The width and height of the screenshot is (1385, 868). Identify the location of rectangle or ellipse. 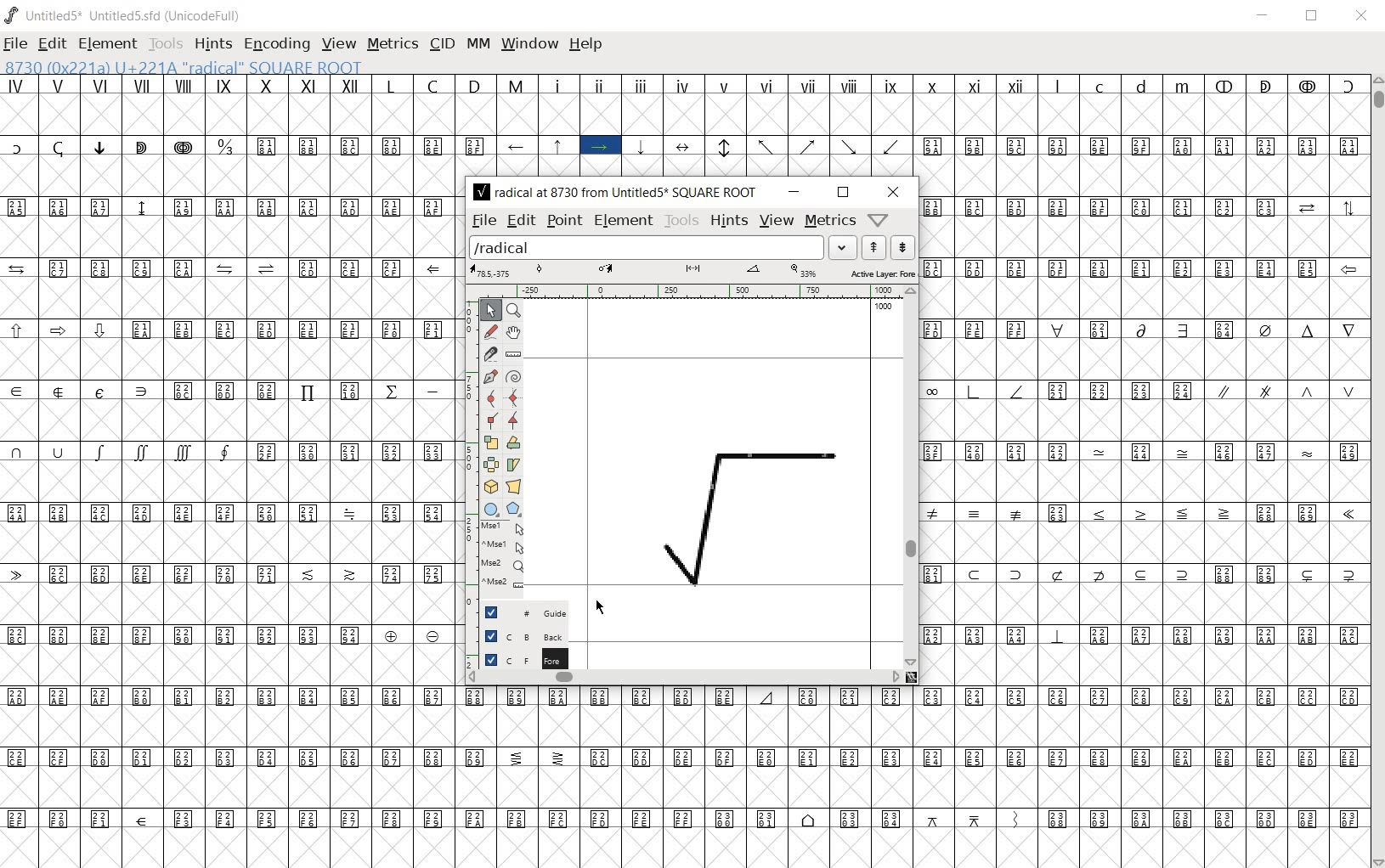
(490, 509).